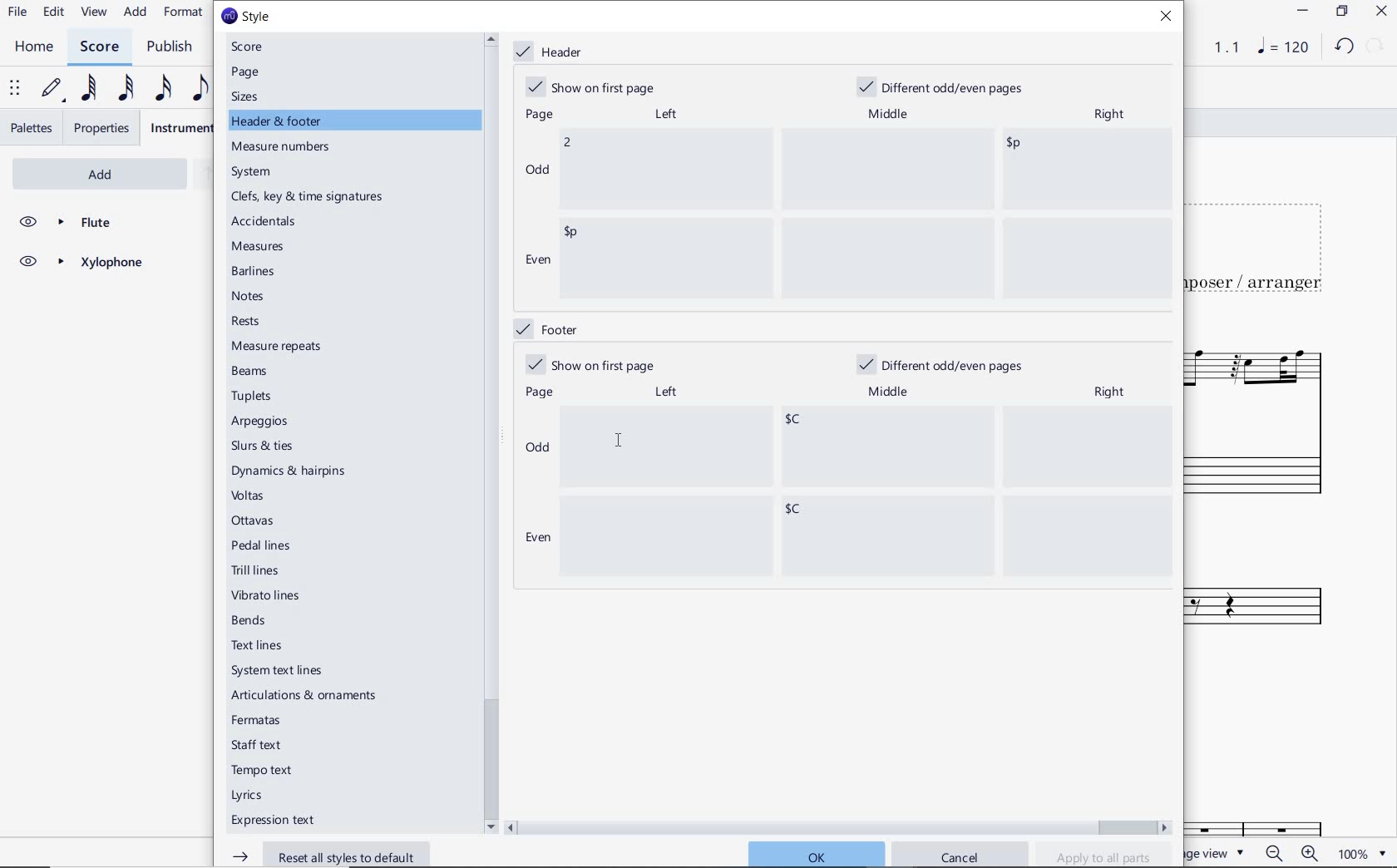 This screenshot has height=868, width=1397. Describe the element at coordinates (866, 214) in the screenshot. I see `data entered "2"` at that location.